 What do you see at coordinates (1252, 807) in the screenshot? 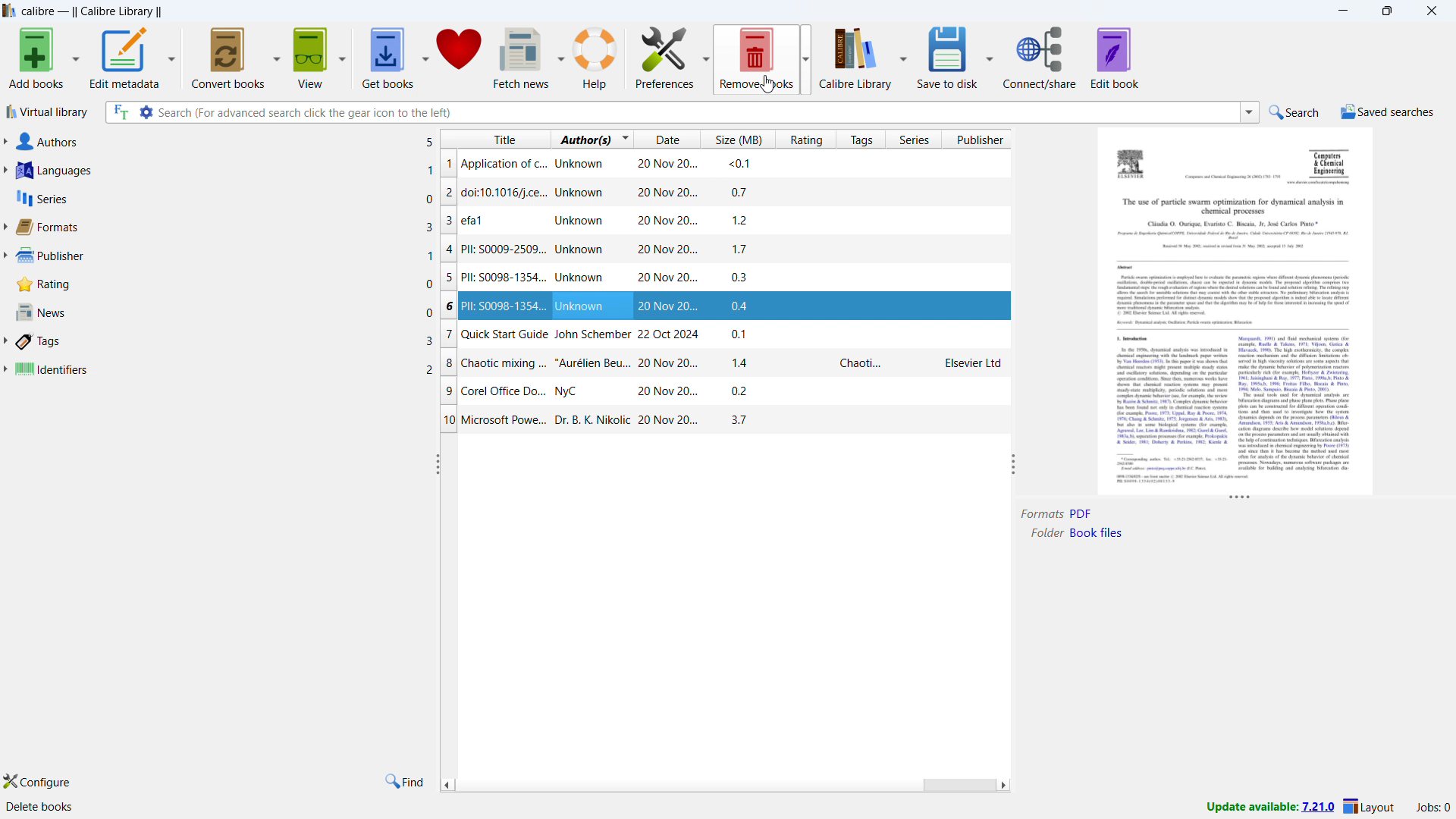
I see `Update available:` at bounding box center [1252, 807].